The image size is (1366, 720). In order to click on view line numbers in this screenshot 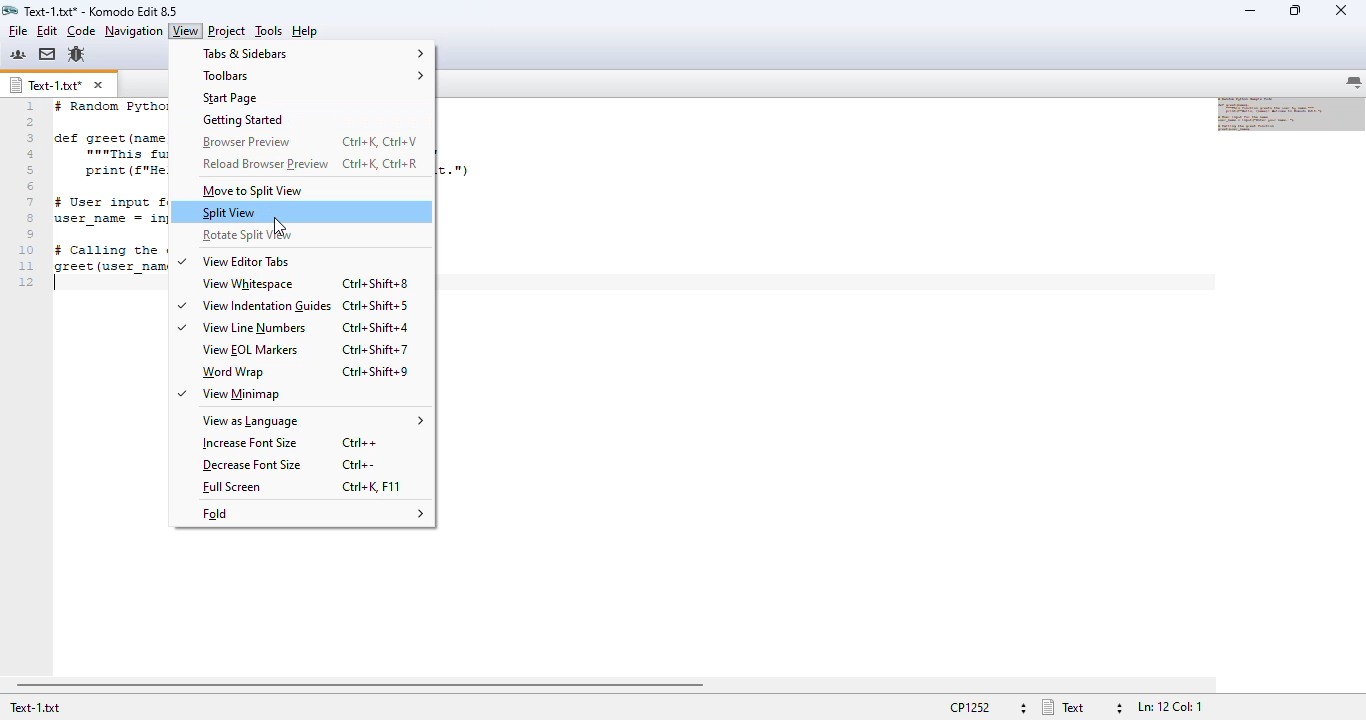, I will do `click(242, 329)`.